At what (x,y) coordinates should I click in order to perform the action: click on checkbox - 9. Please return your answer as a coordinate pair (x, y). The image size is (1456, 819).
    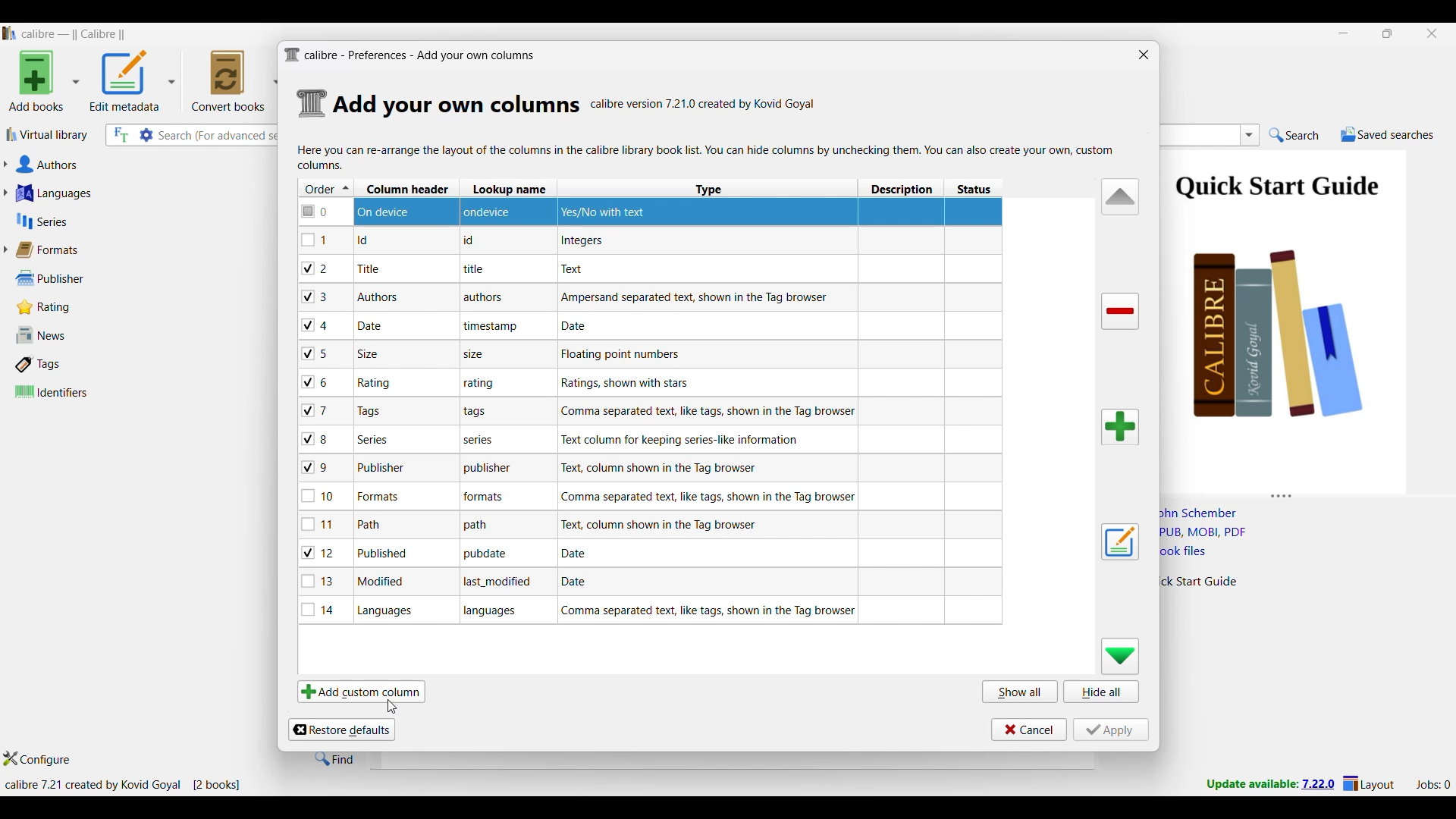
    Looking at the image, I should click on (315, 468).